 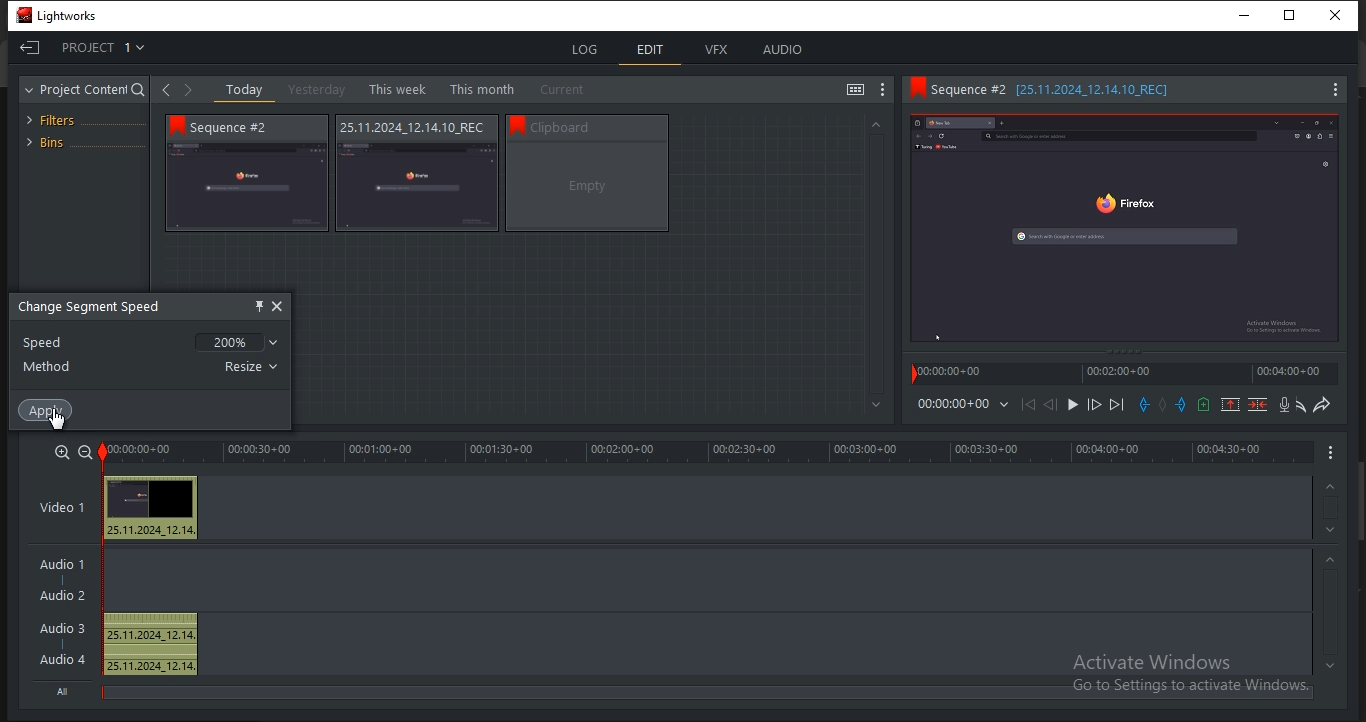 What do you see at coordinates (59, 423) in the screenshot?
I see `pointer cursor` at bounding box center [59, 423].